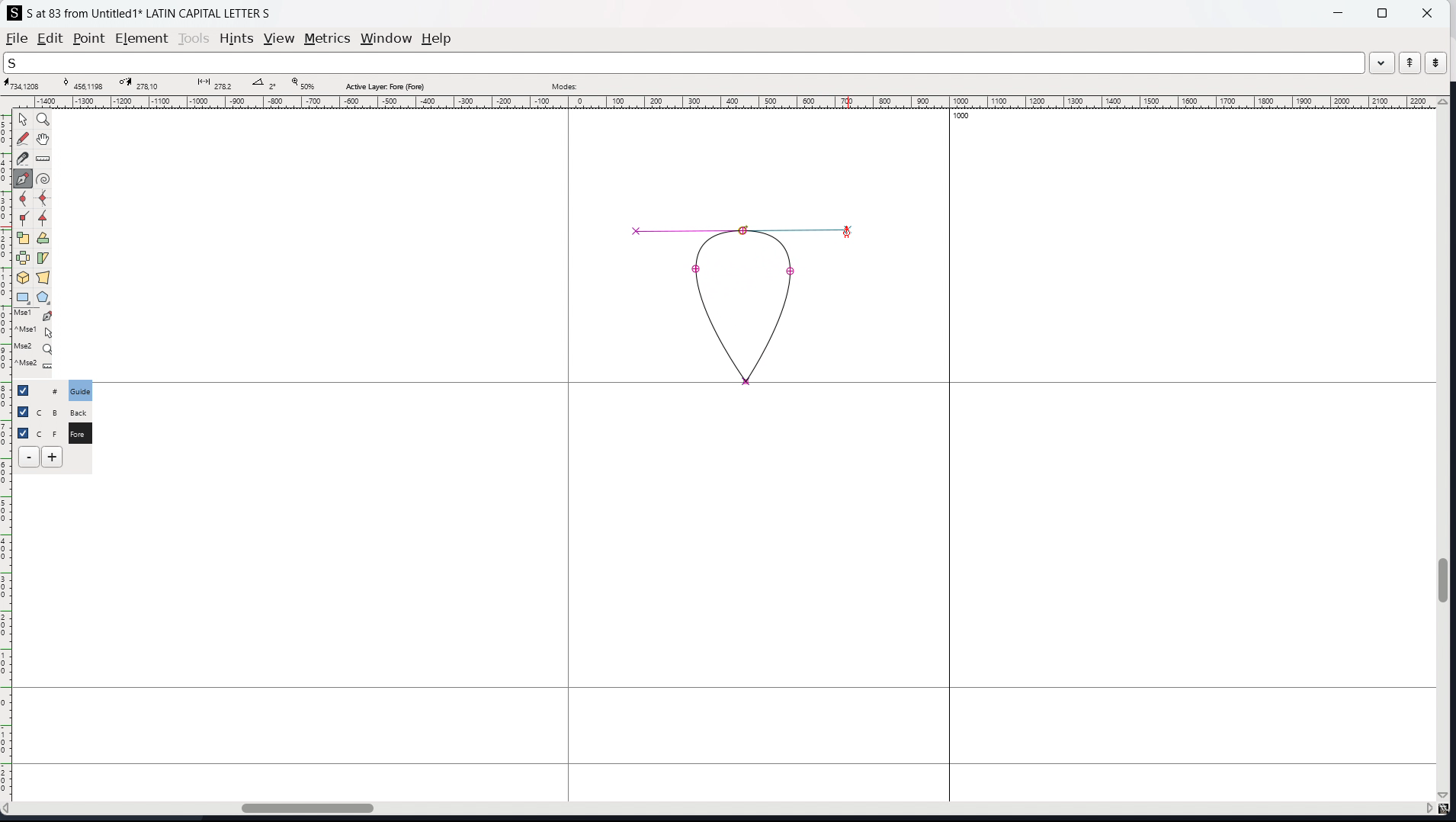 The width and height of the screenshot is (1456, 822). I want to click on ^Mse1, so click(34, 332).